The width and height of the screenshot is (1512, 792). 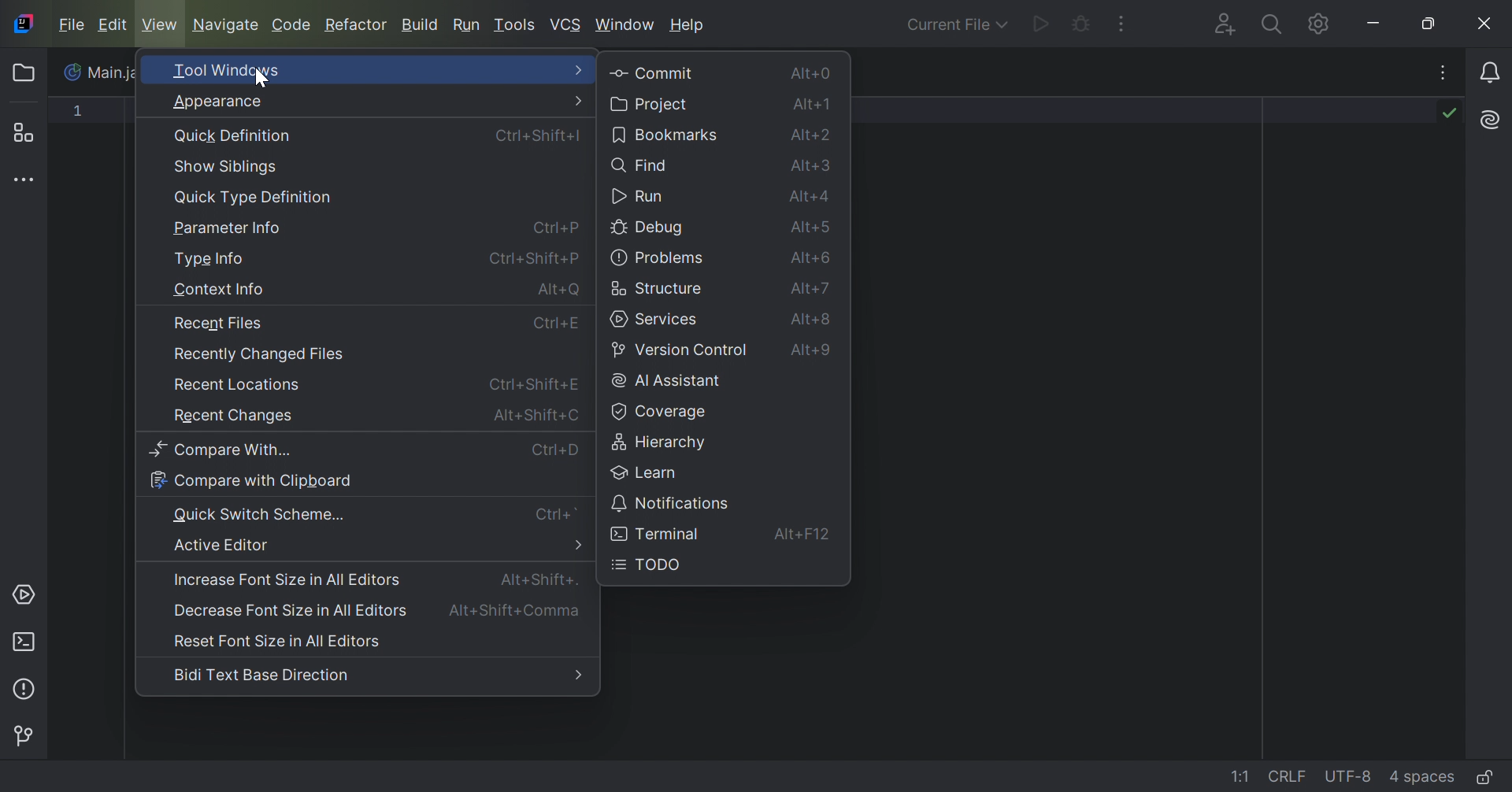 I want to click on Show siblings, so click(x=228, y=167).